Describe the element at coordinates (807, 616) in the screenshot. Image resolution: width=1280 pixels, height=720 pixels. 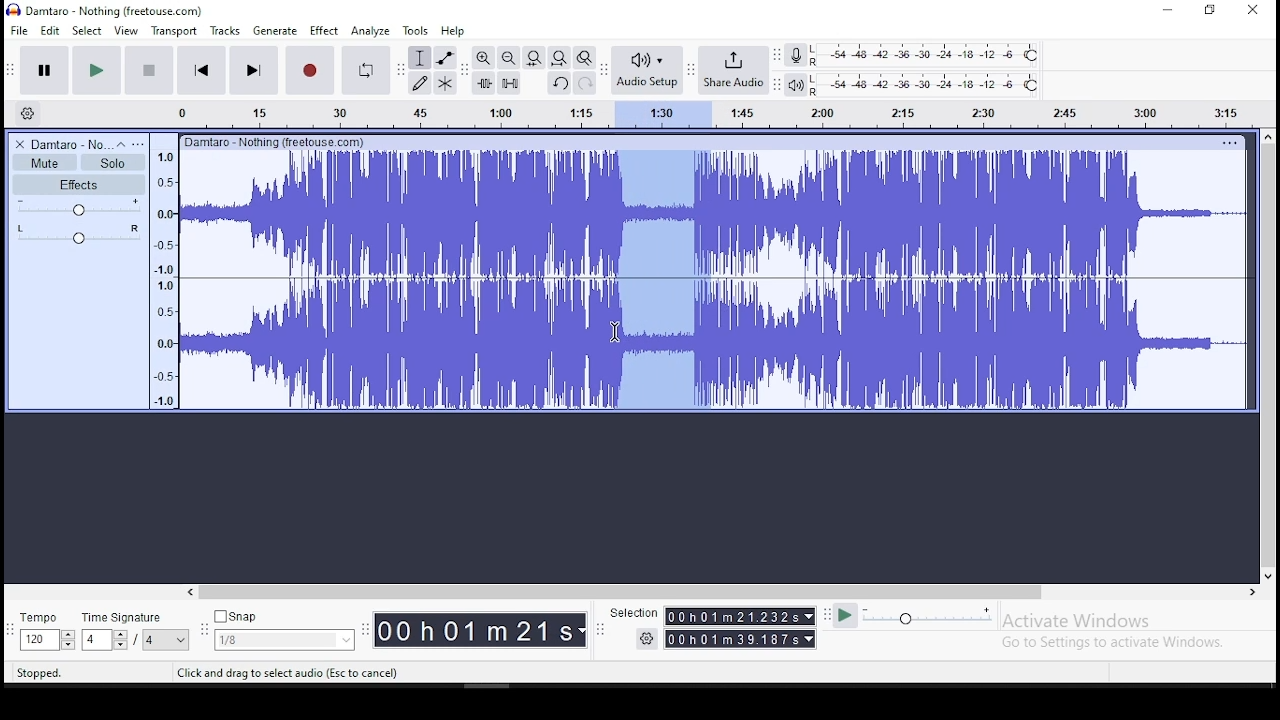
I see `drop down` at that location.